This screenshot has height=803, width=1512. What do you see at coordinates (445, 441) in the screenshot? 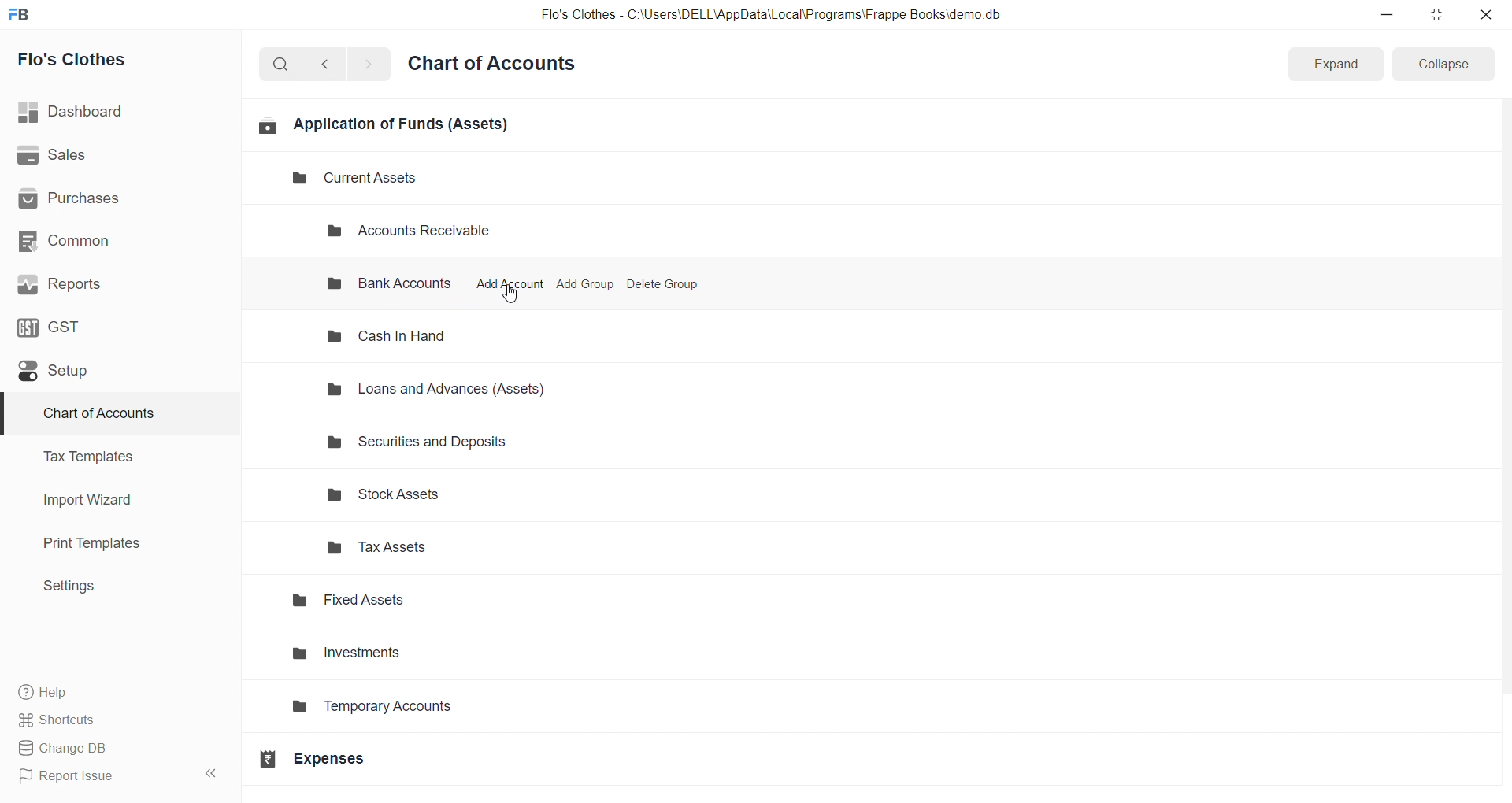
I see `Securities and Deposits` at bounding box center [445, 441].